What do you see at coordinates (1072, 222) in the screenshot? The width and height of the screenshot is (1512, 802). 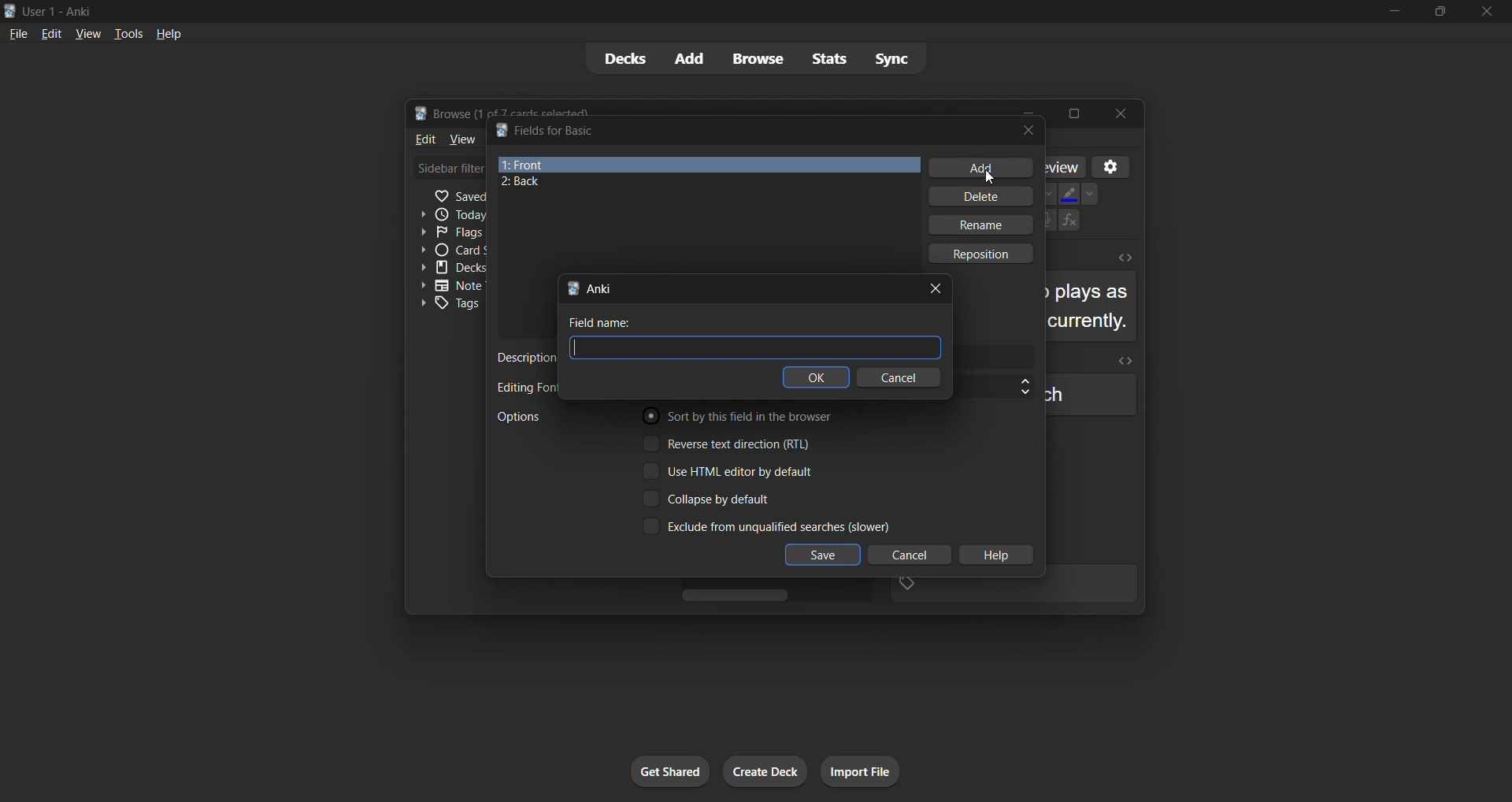 I see `Functions` at bounding box center [1072, 222].